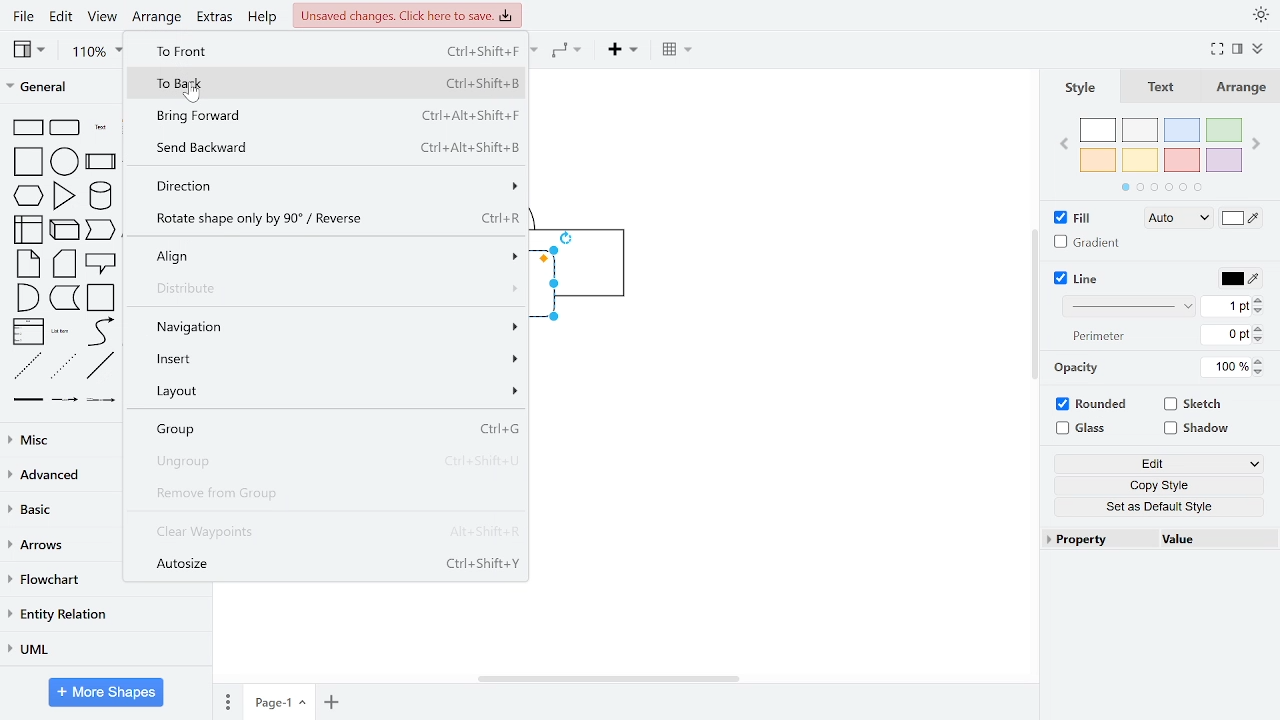  What do you see at coordinates (264, 17) in the screenshot?
I see `help` at bounding box center [264, 17].